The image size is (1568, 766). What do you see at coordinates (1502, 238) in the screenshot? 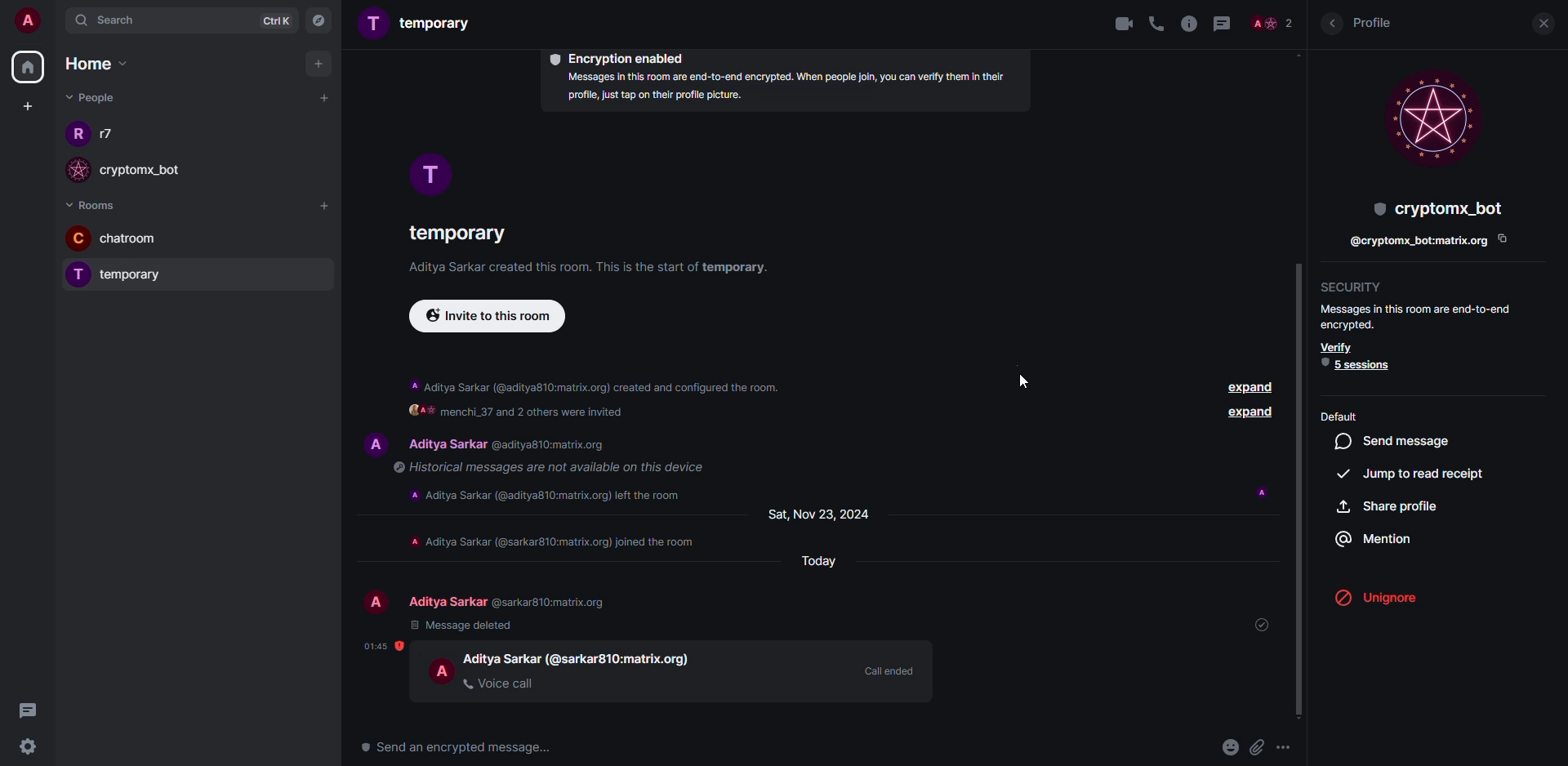
I see `copy` at bounding box center [1502, 238].